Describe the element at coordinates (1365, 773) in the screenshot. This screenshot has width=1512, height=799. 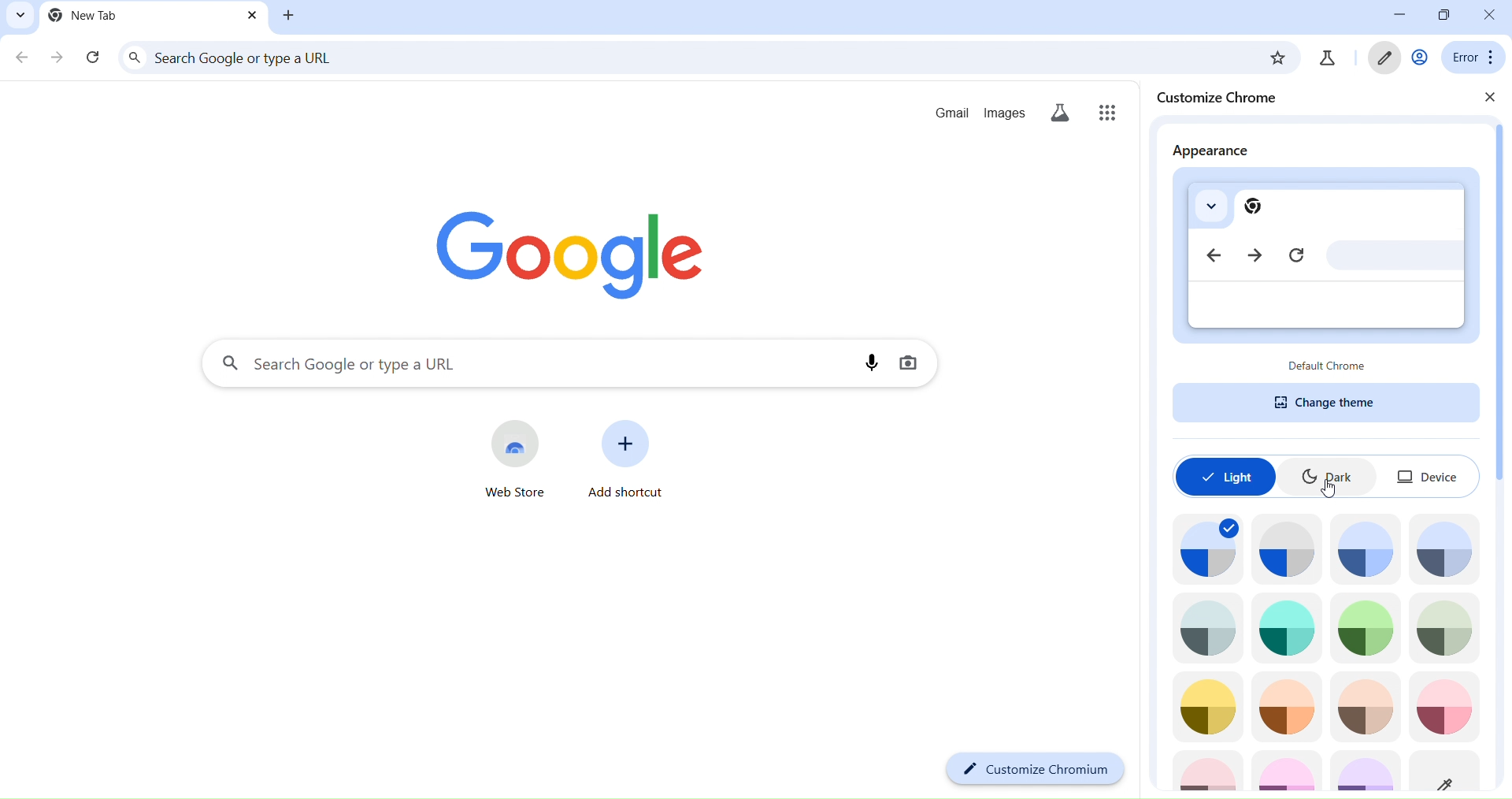
I see `theme icon` at that location.